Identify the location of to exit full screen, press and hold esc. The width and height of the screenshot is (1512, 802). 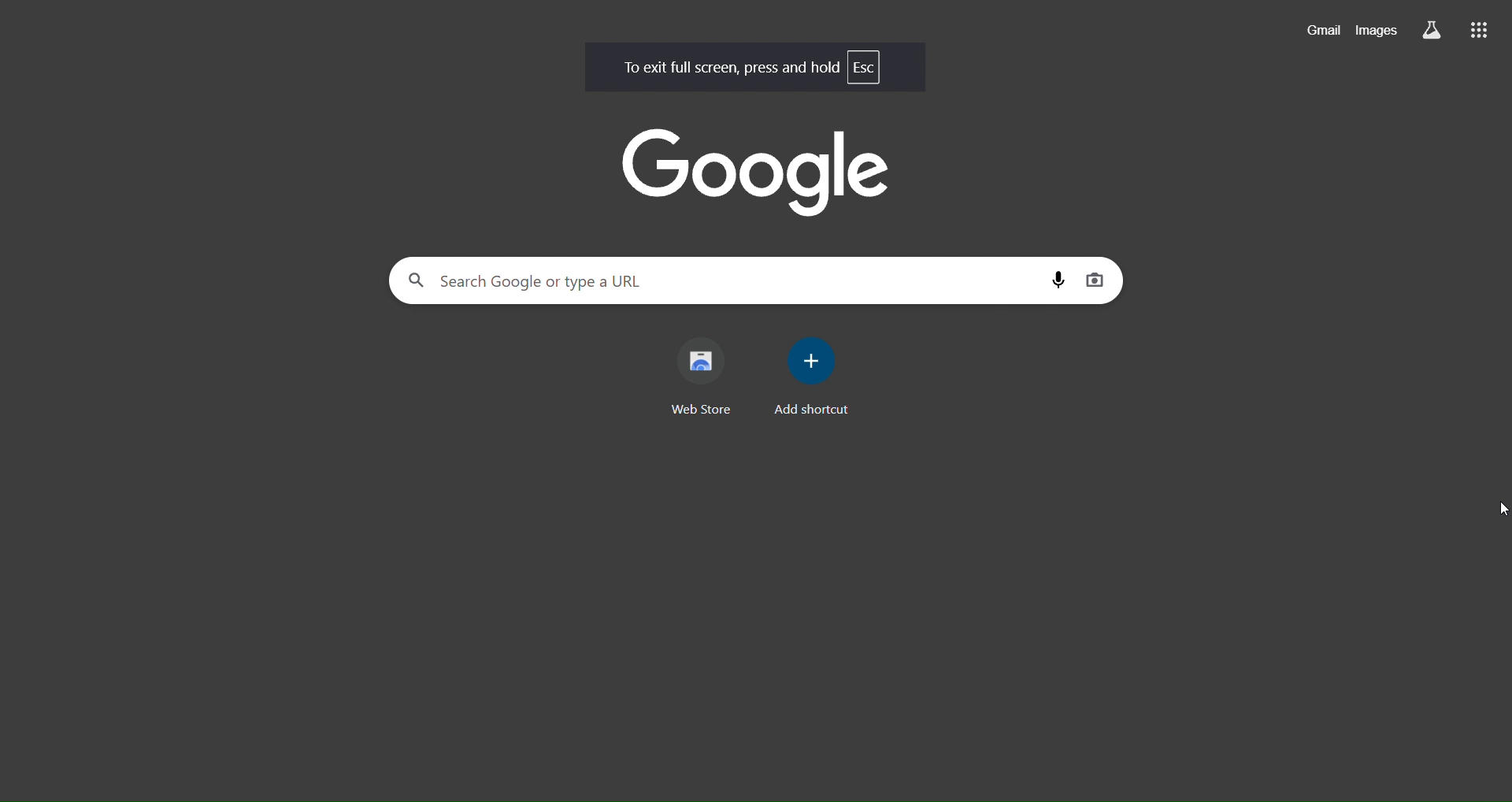
(751, 66).